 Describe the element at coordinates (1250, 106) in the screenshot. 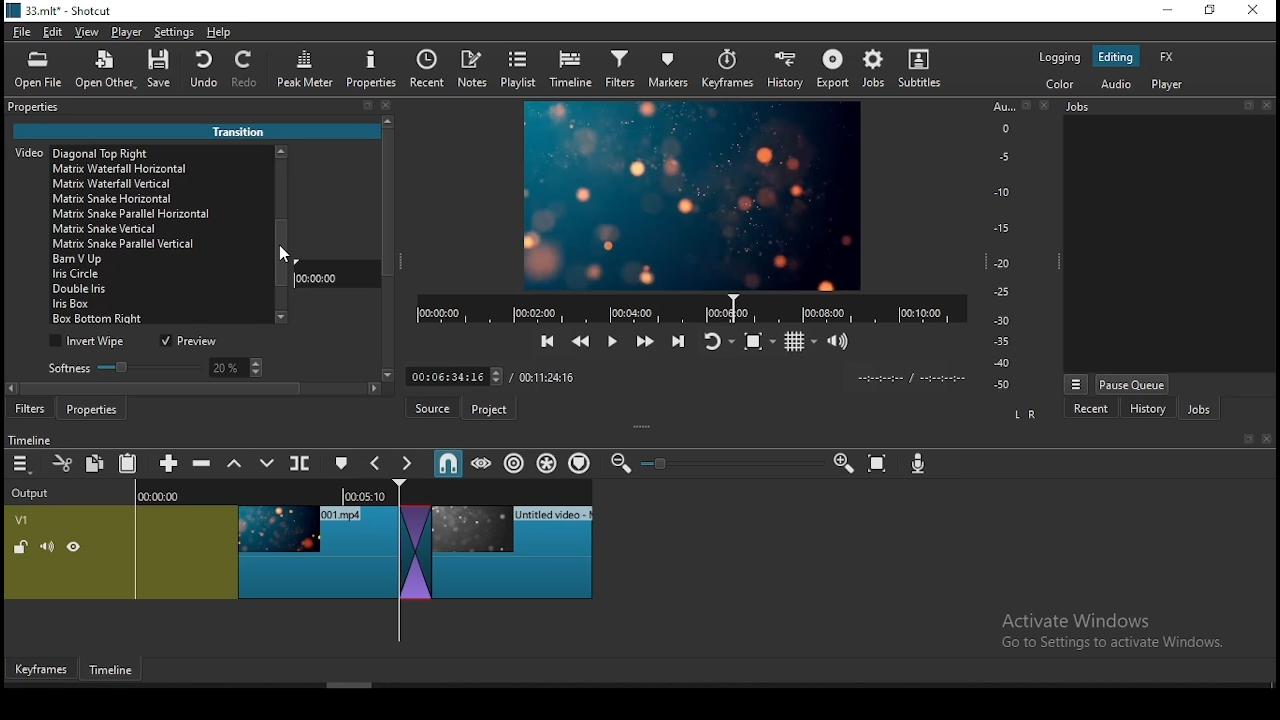

I see `` at that location.